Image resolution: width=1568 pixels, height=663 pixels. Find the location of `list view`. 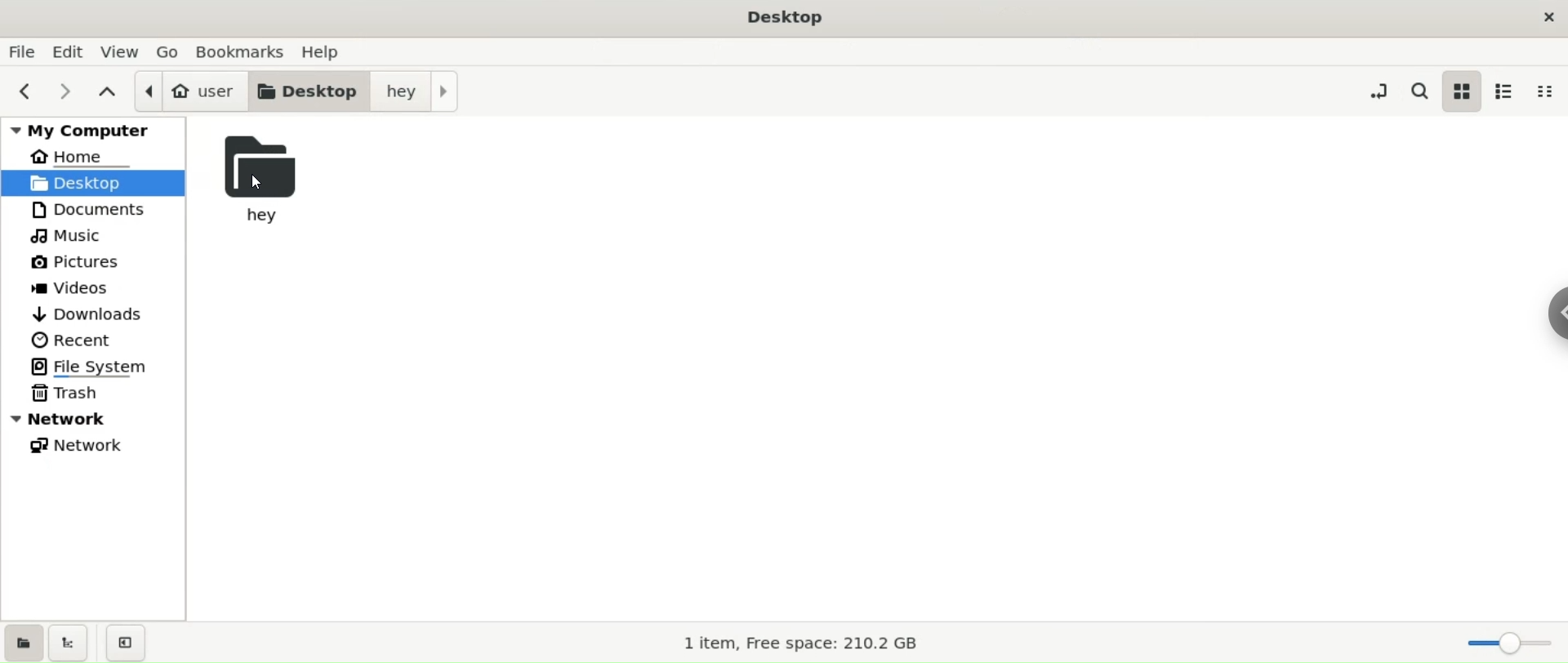

list view is located at coordinates (1506, 93).